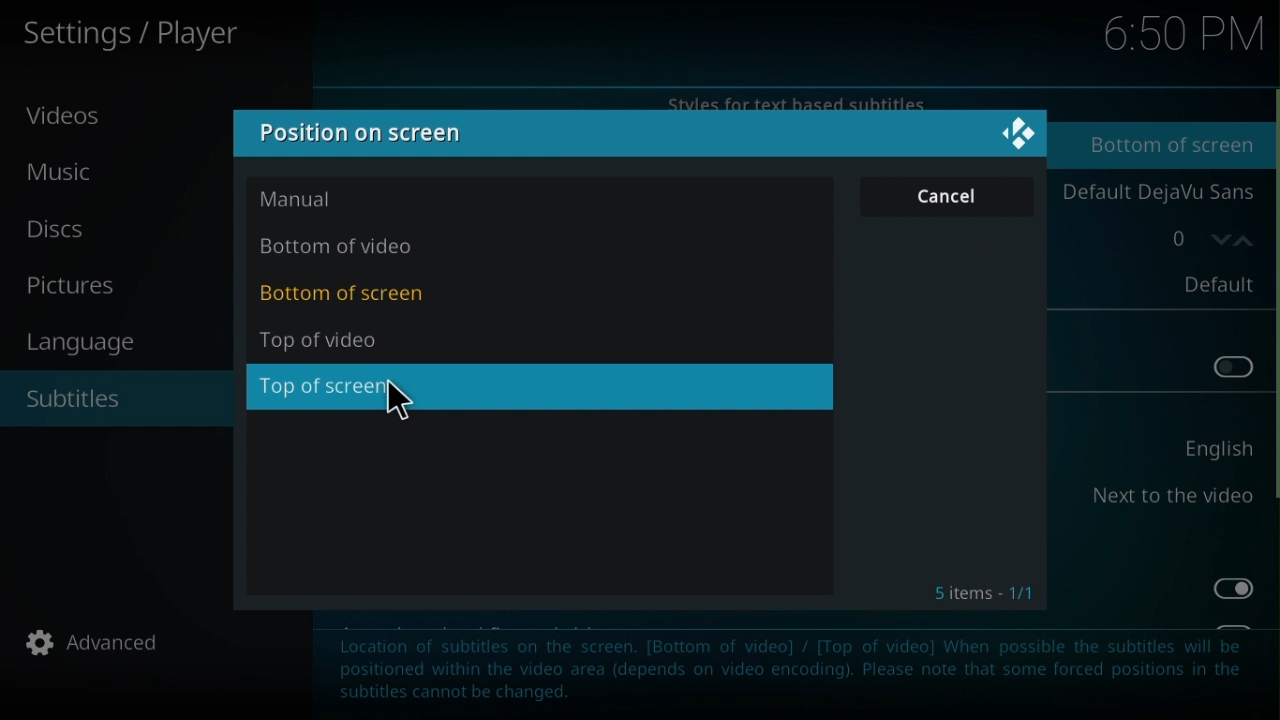 This screenshot has width=1280, height=720. I want to click on 6.50 pm, so click(1180, 36).